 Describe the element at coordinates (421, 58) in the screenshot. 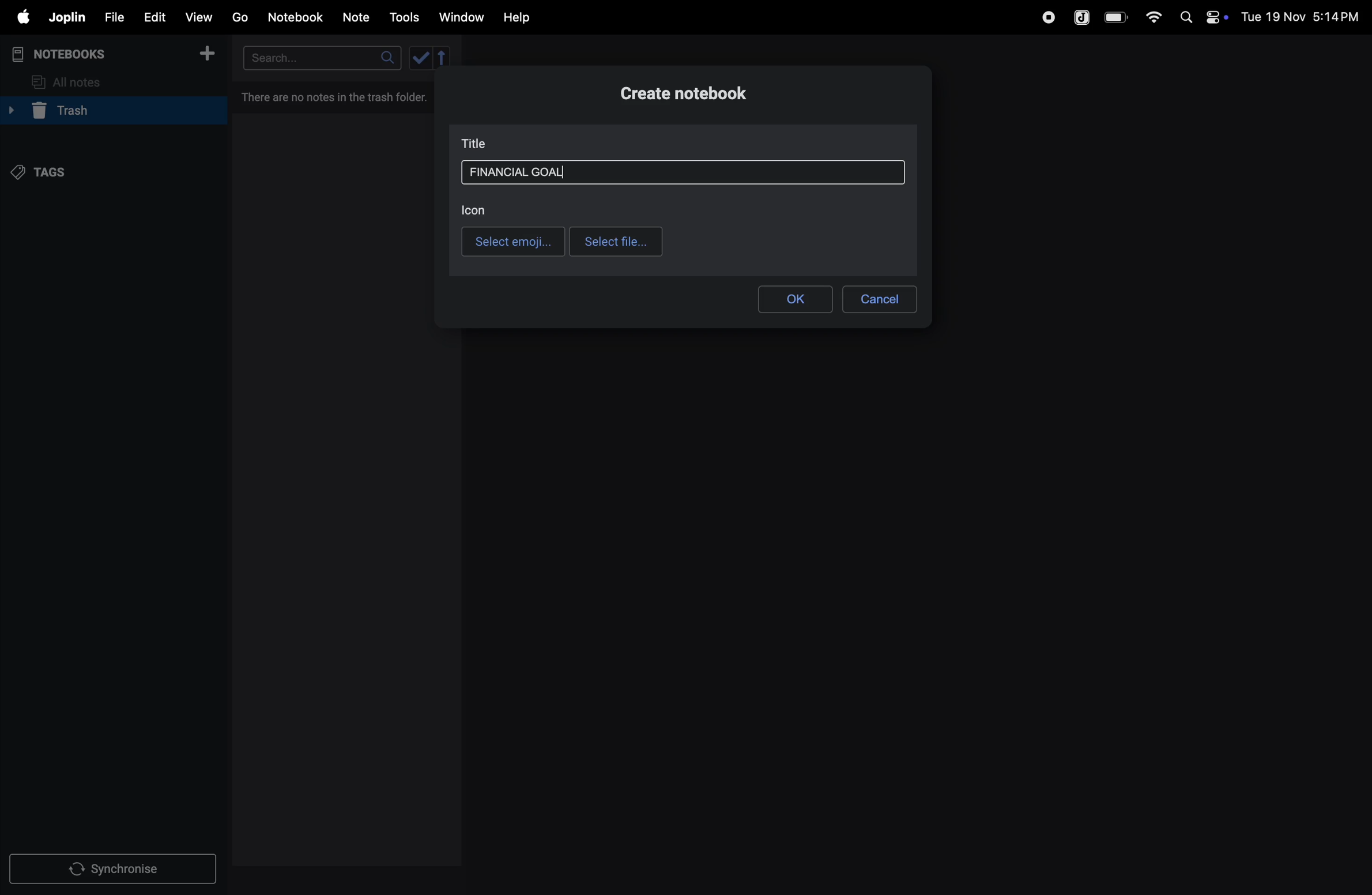

I see `check` at that location.